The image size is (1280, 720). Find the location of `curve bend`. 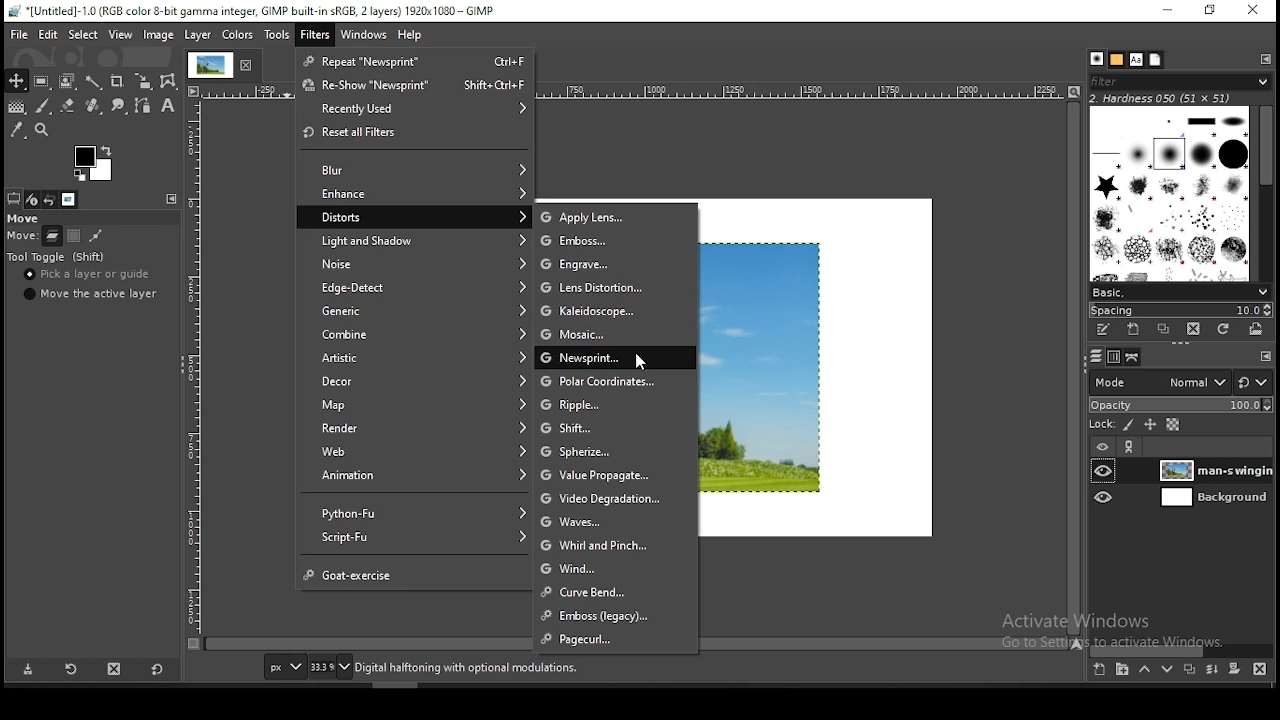

curve bend is located at coordinates (615, 591).